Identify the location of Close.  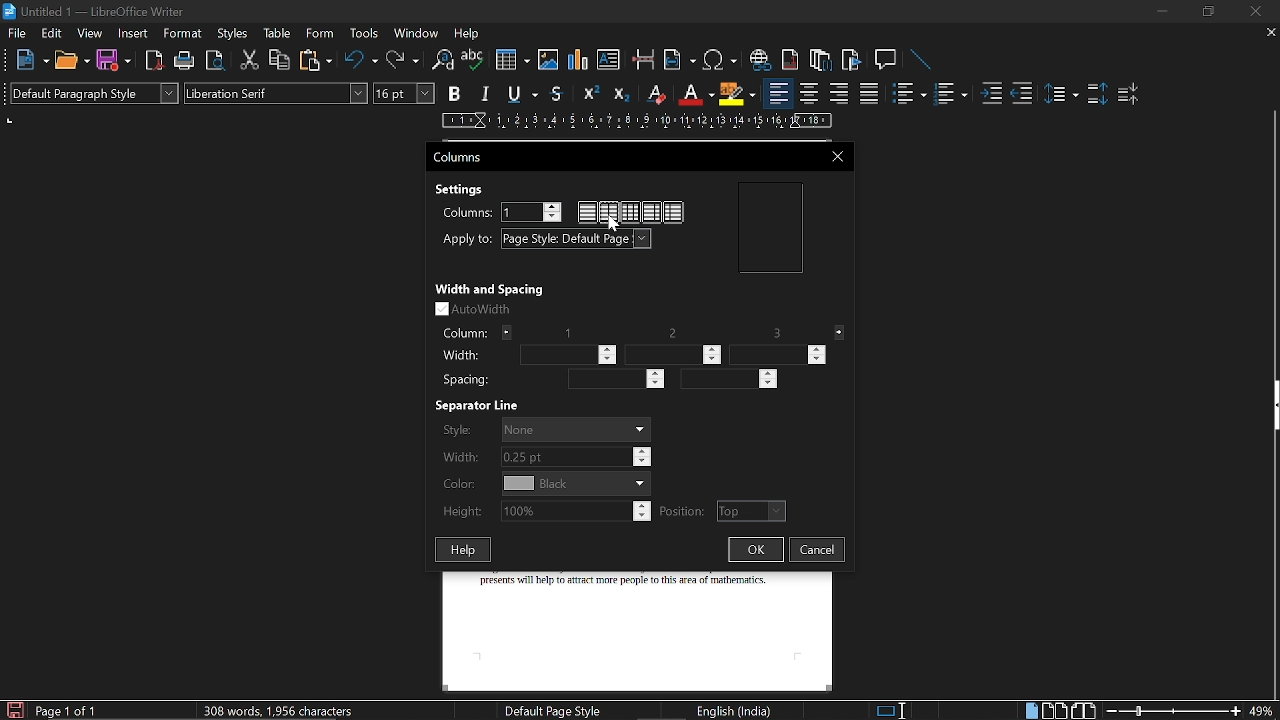
(1257, 13).